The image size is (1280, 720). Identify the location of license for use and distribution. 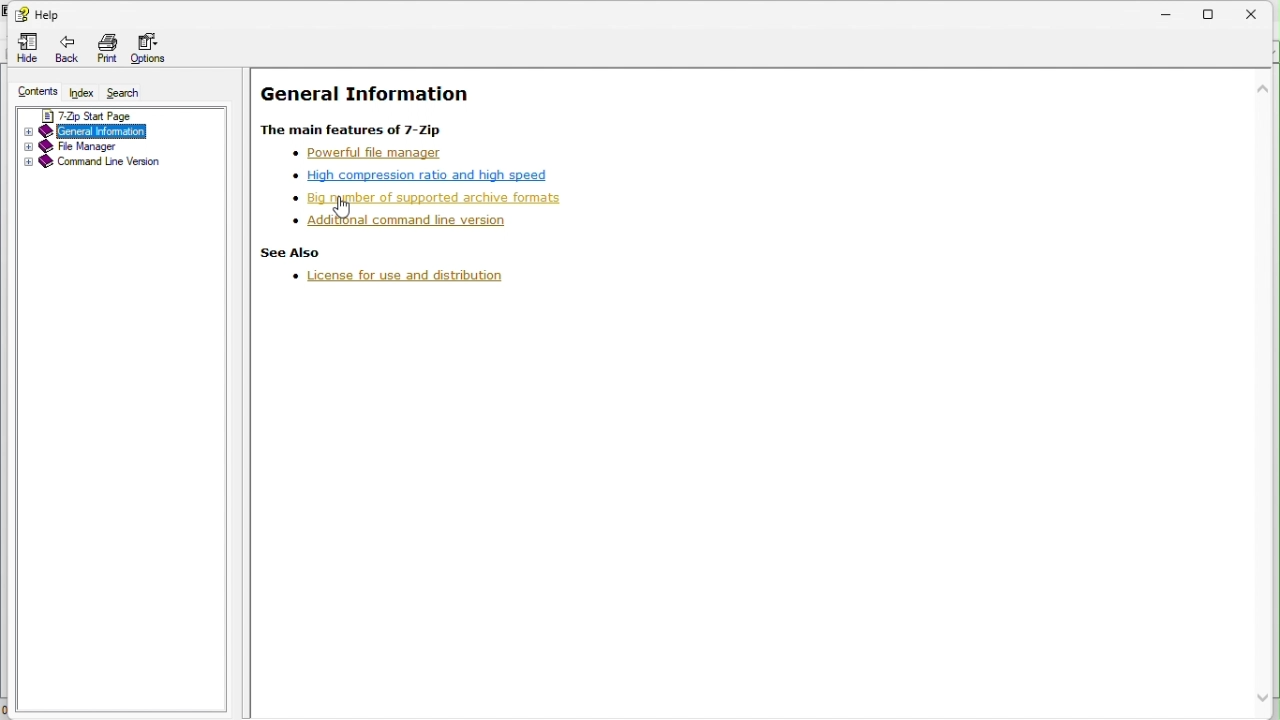
(388, 277).